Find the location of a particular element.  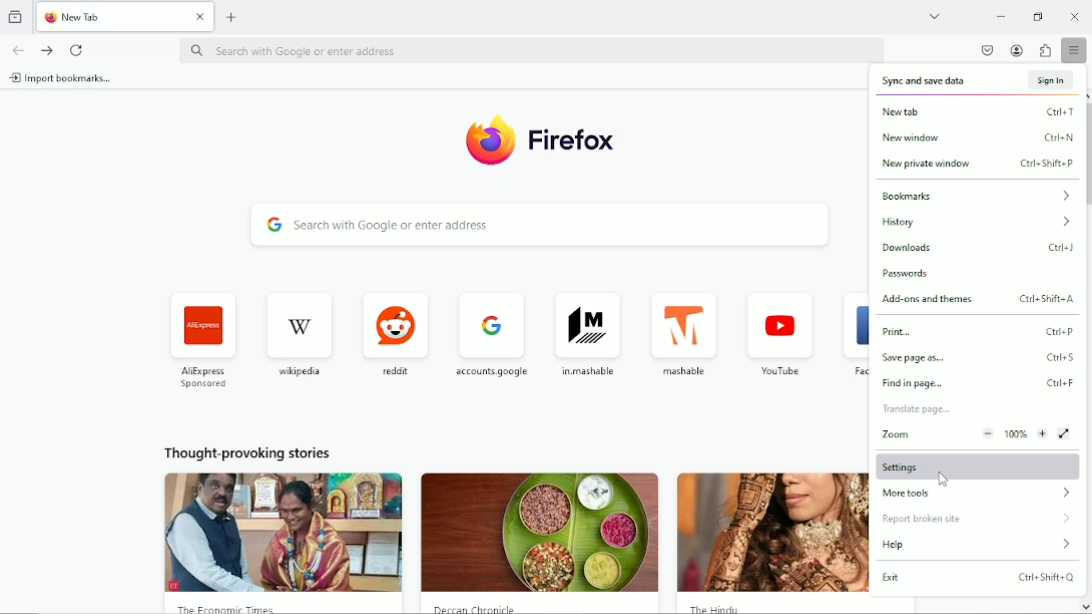

restore down is located at coordinates (1038, 14).